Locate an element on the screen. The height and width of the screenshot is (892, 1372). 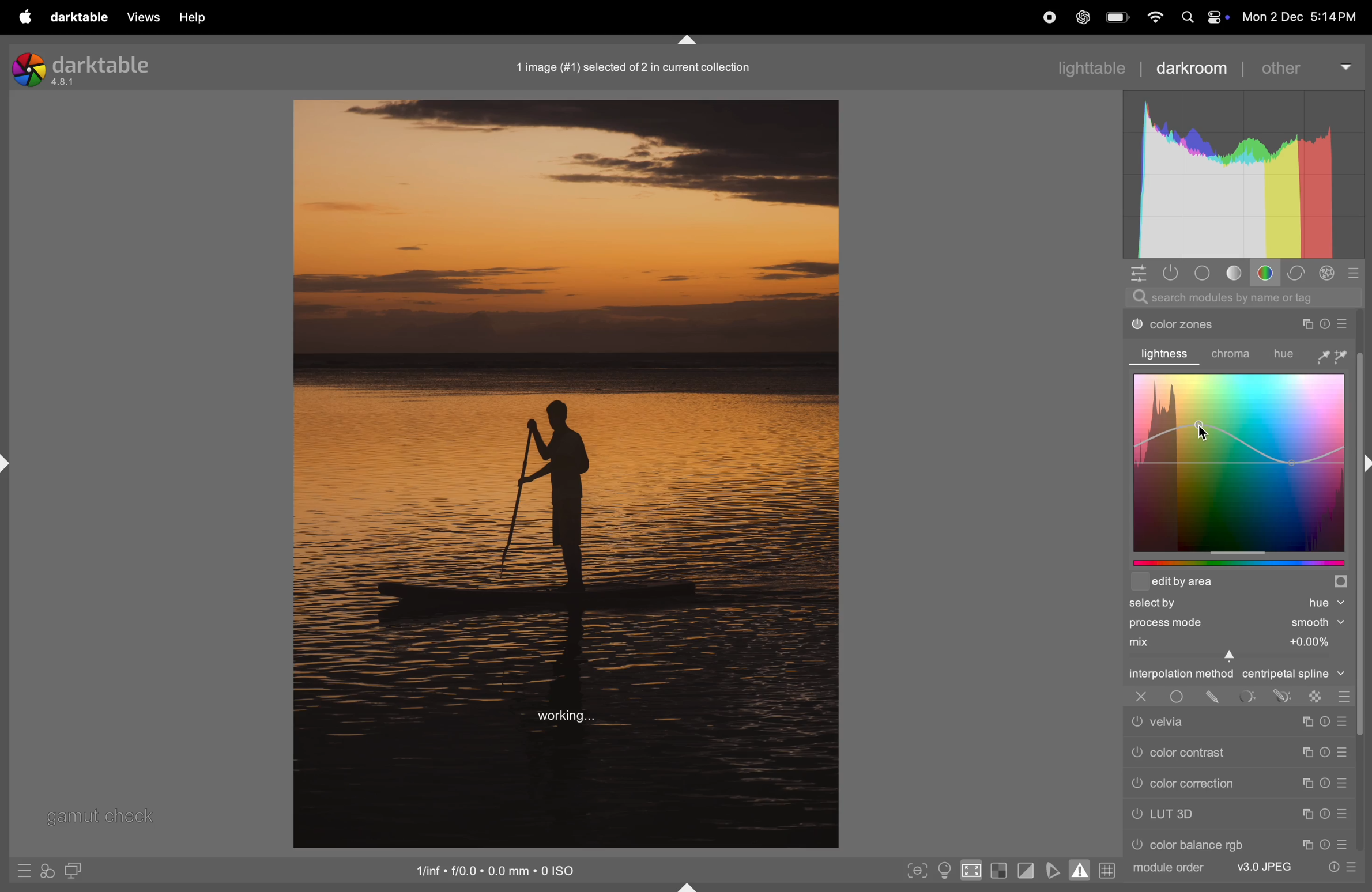
grid is located at coordinates (1110, 870).